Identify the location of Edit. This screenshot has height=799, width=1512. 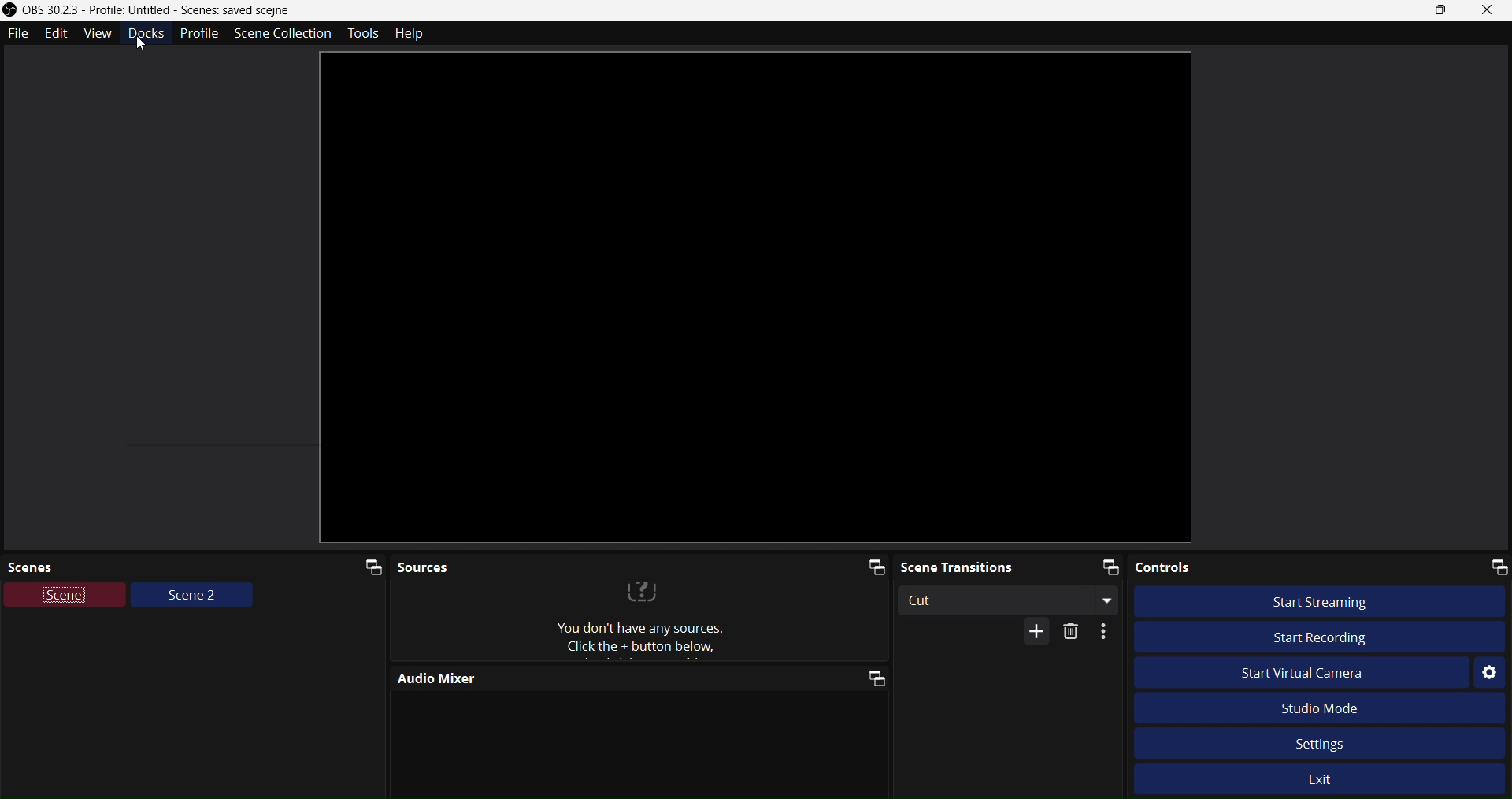
(57, 35).